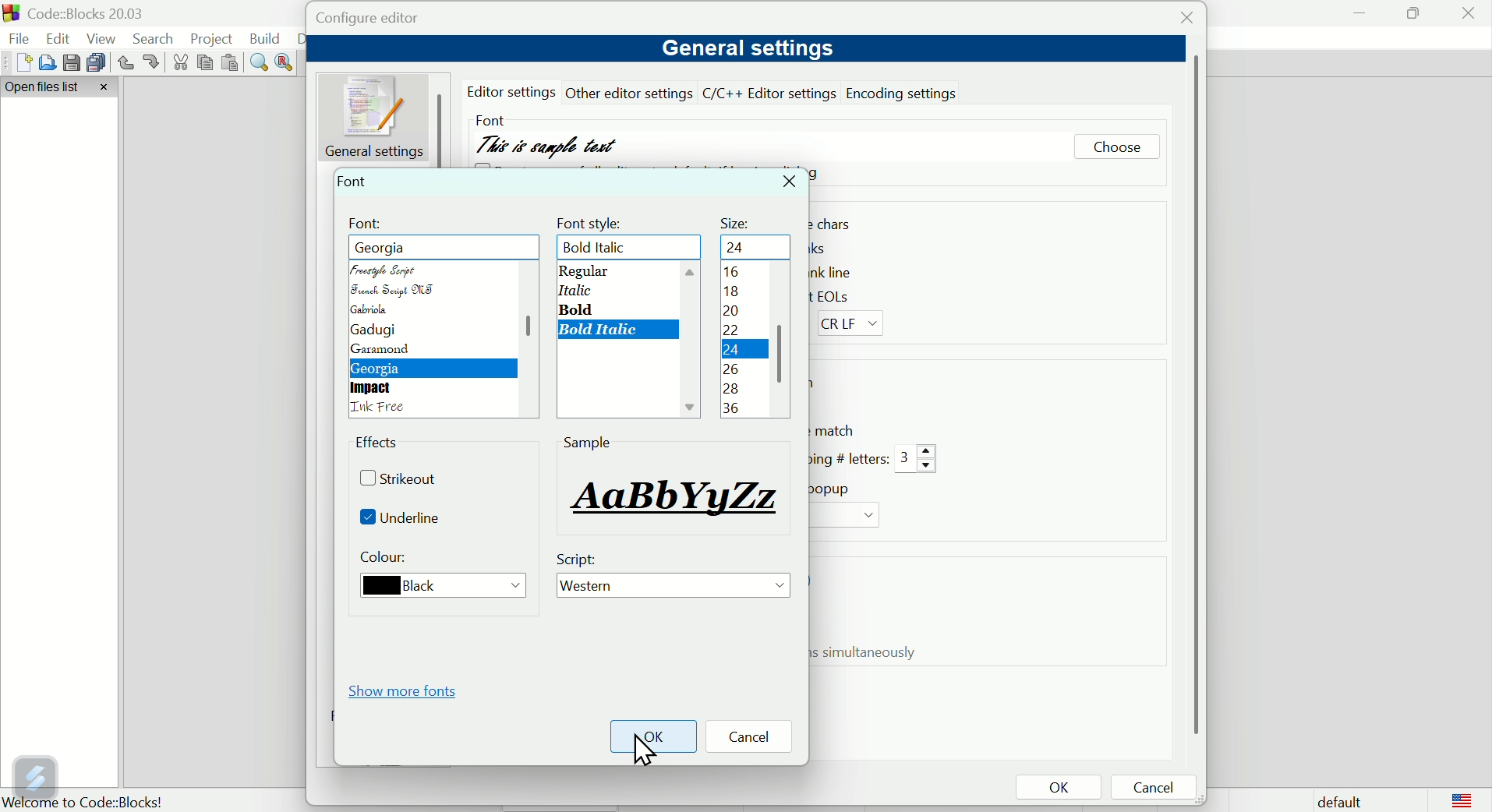 This screenshot has height=812, width=1492. Describe the element at coordinates (376, 309) in the screenshot. I see `Gabriola` at that location.